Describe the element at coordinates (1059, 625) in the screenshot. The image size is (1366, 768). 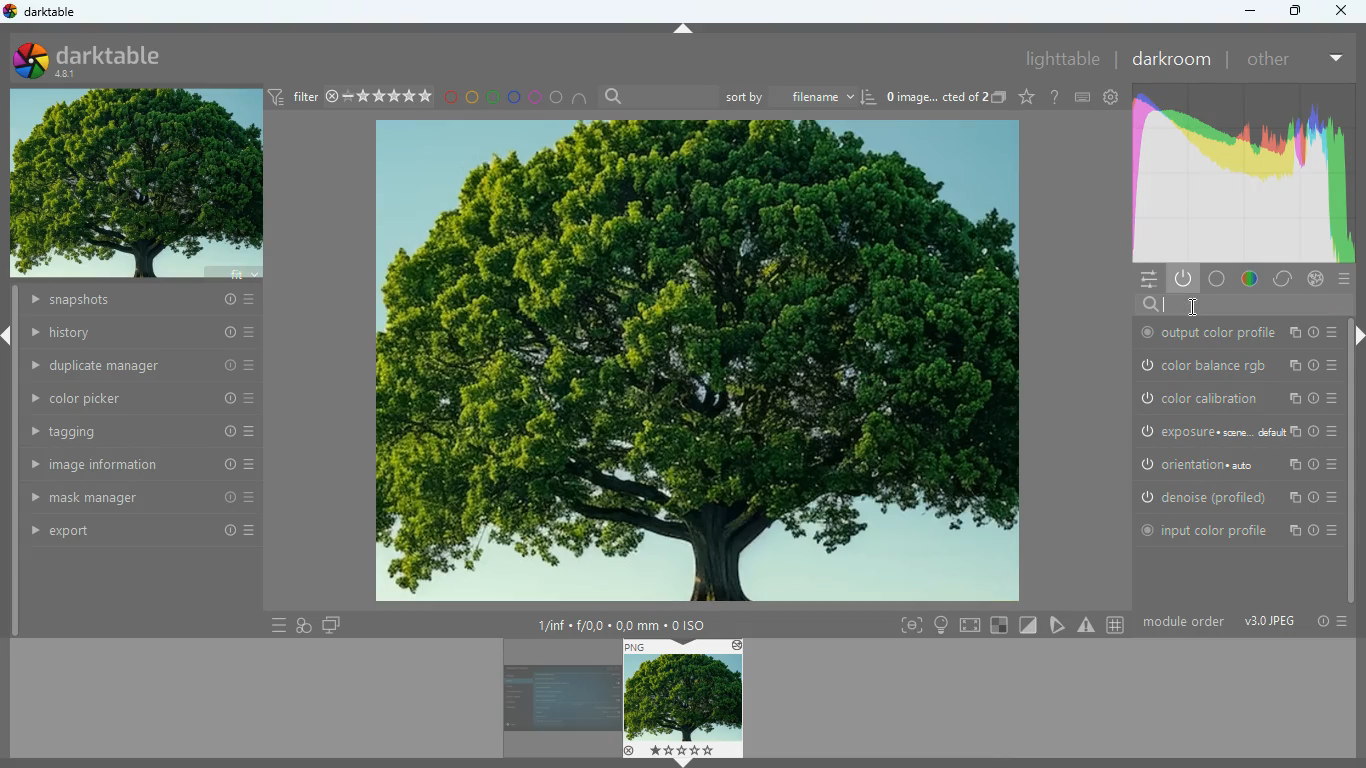
I see `edit` at that location.